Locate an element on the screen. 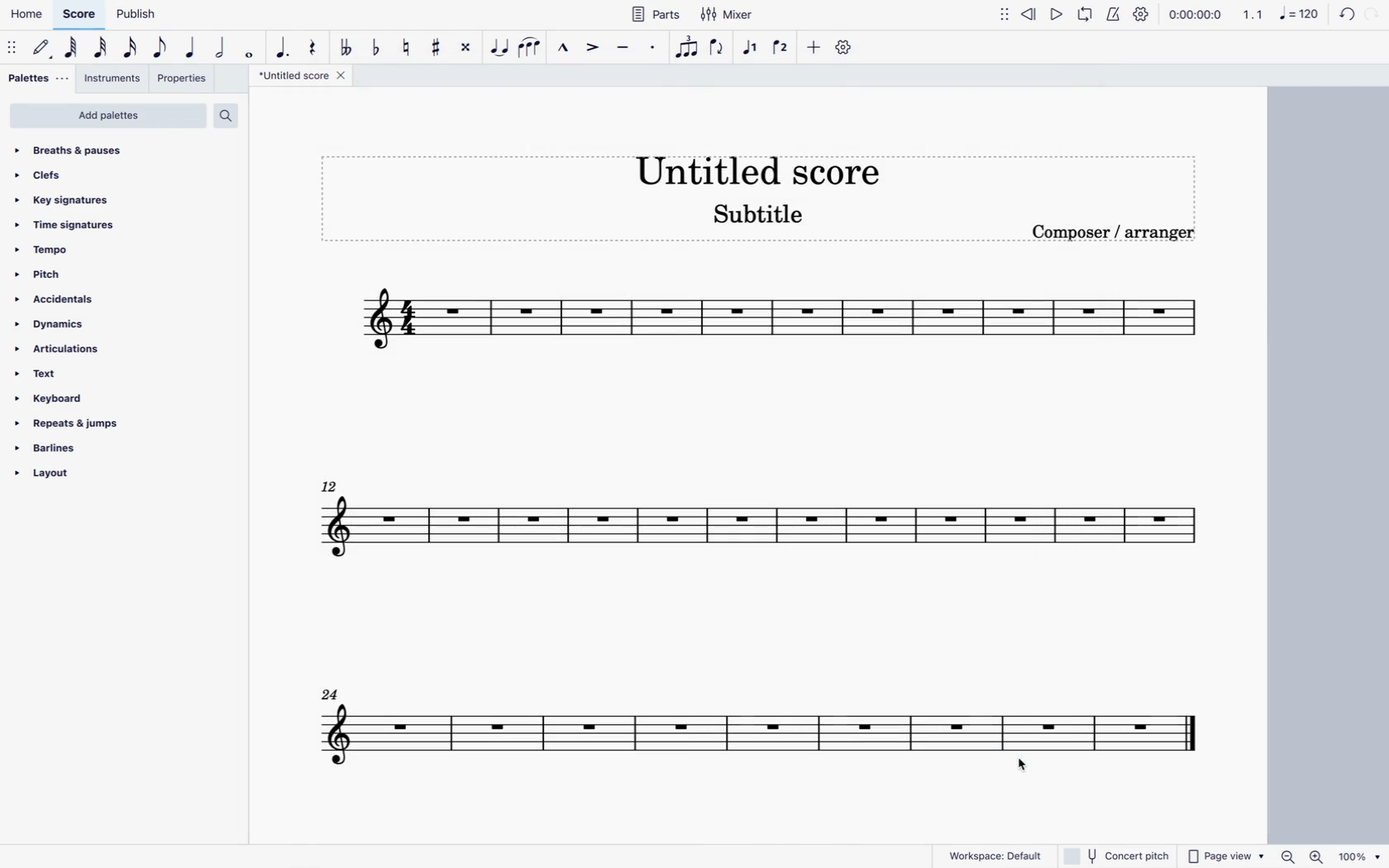 This screenshot has width=1389, height=868. full note is located at coordinates (248, 51).